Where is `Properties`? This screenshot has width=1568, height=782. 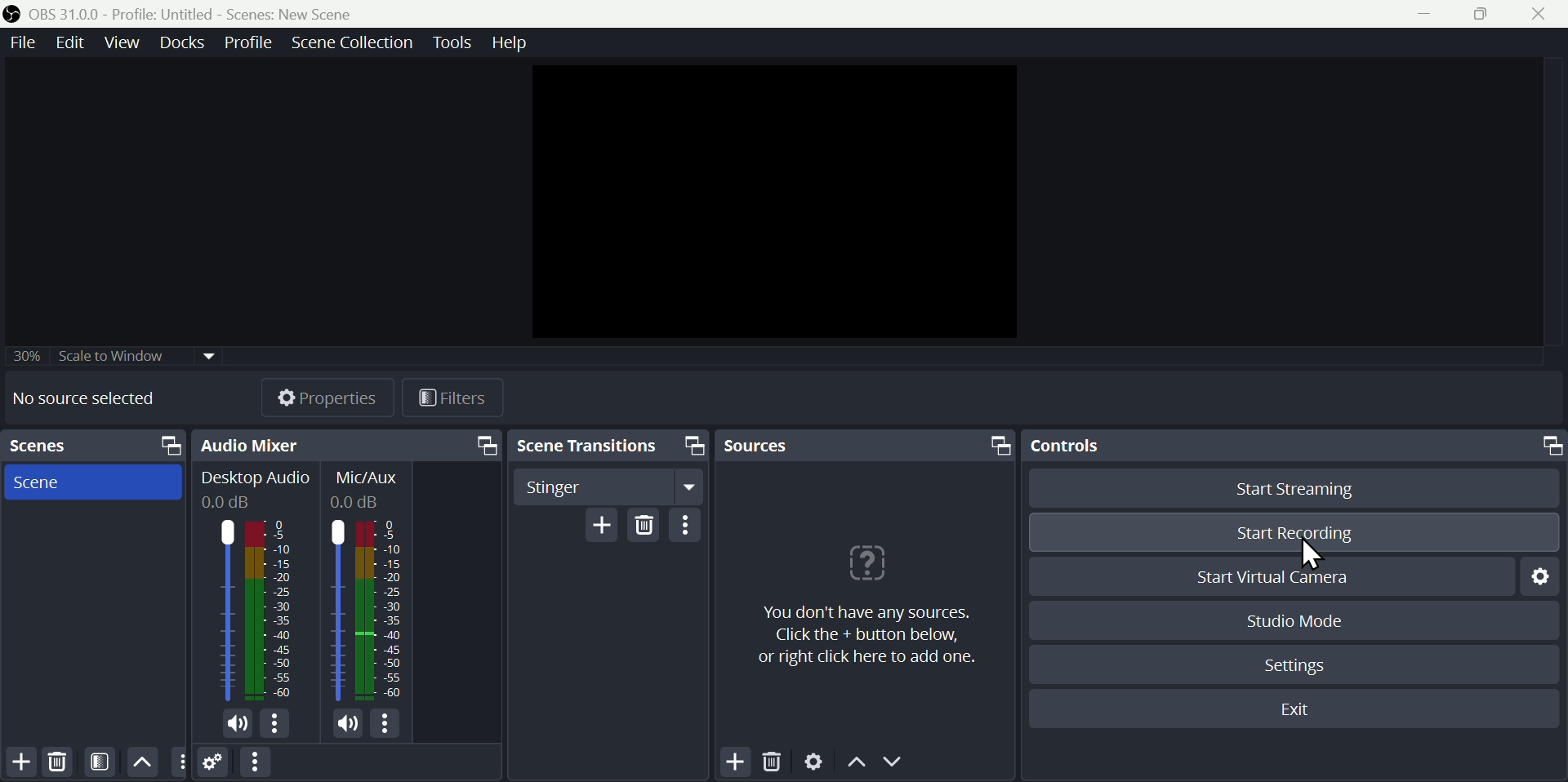 Properties is located at coordinates (327, 395).